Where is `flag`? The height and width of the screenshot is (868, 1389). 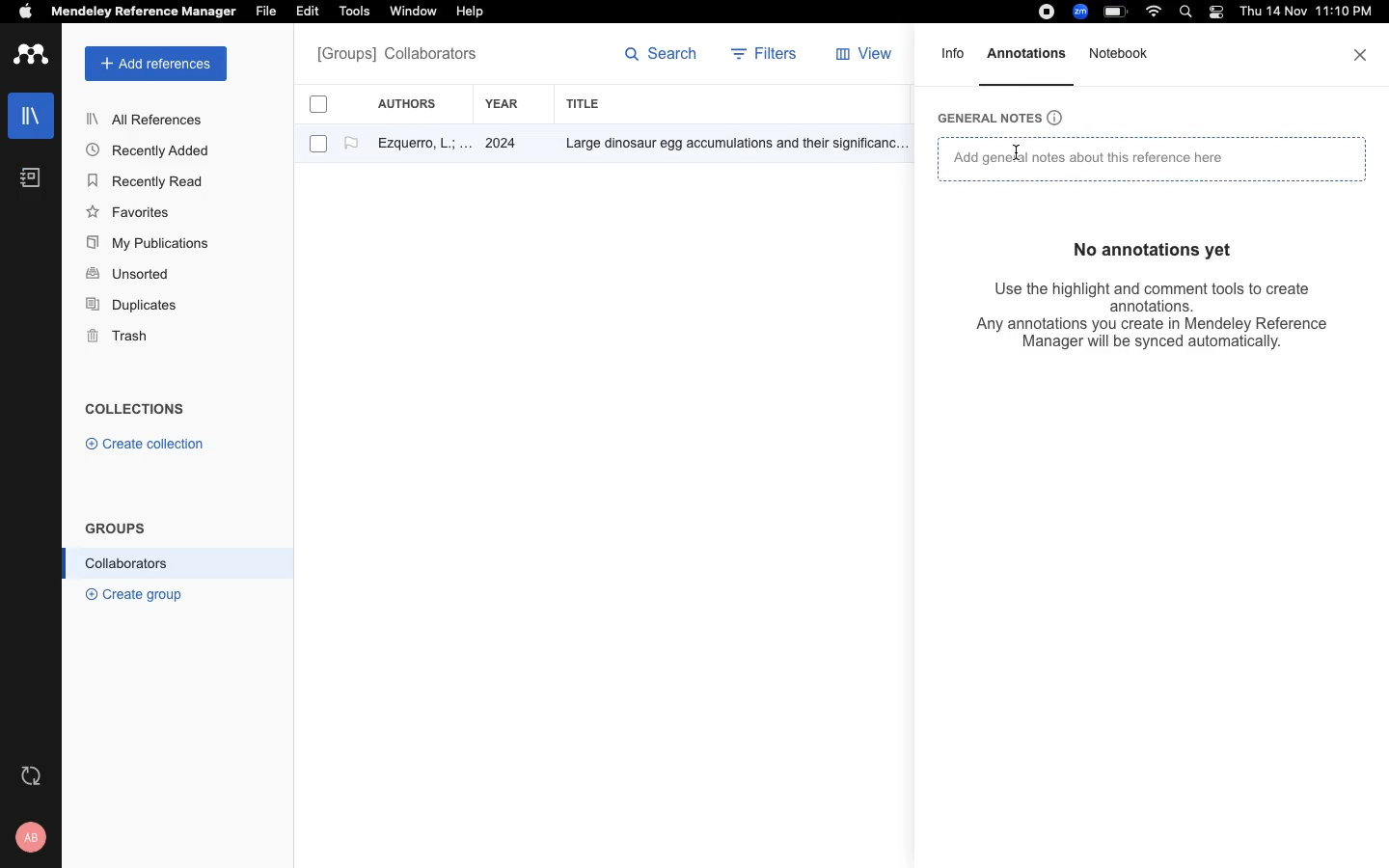 flag is located at coordinates (351, 144).